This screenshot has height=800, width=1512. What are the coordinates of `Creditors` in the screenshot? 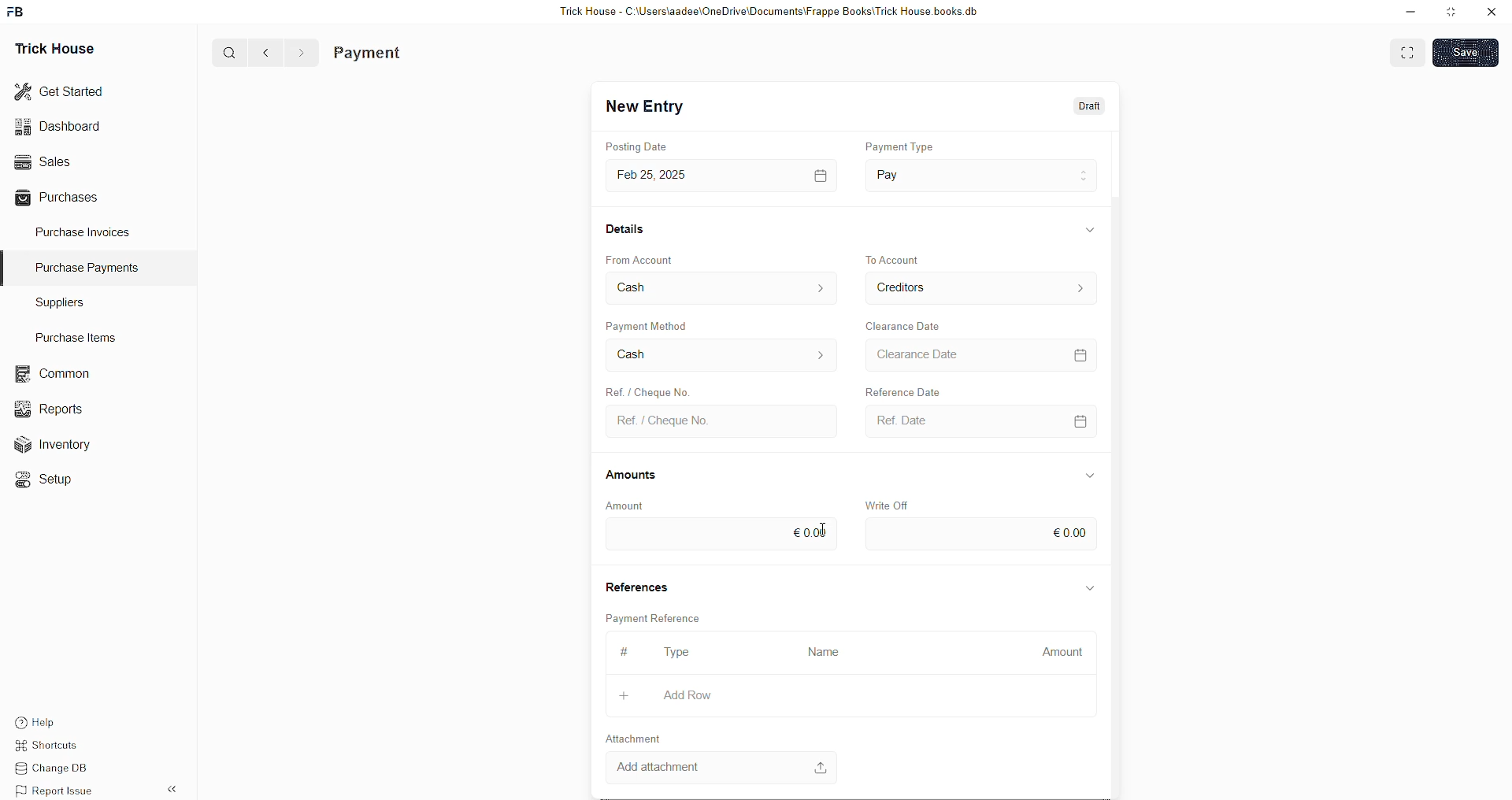 It's located at (898, 287).